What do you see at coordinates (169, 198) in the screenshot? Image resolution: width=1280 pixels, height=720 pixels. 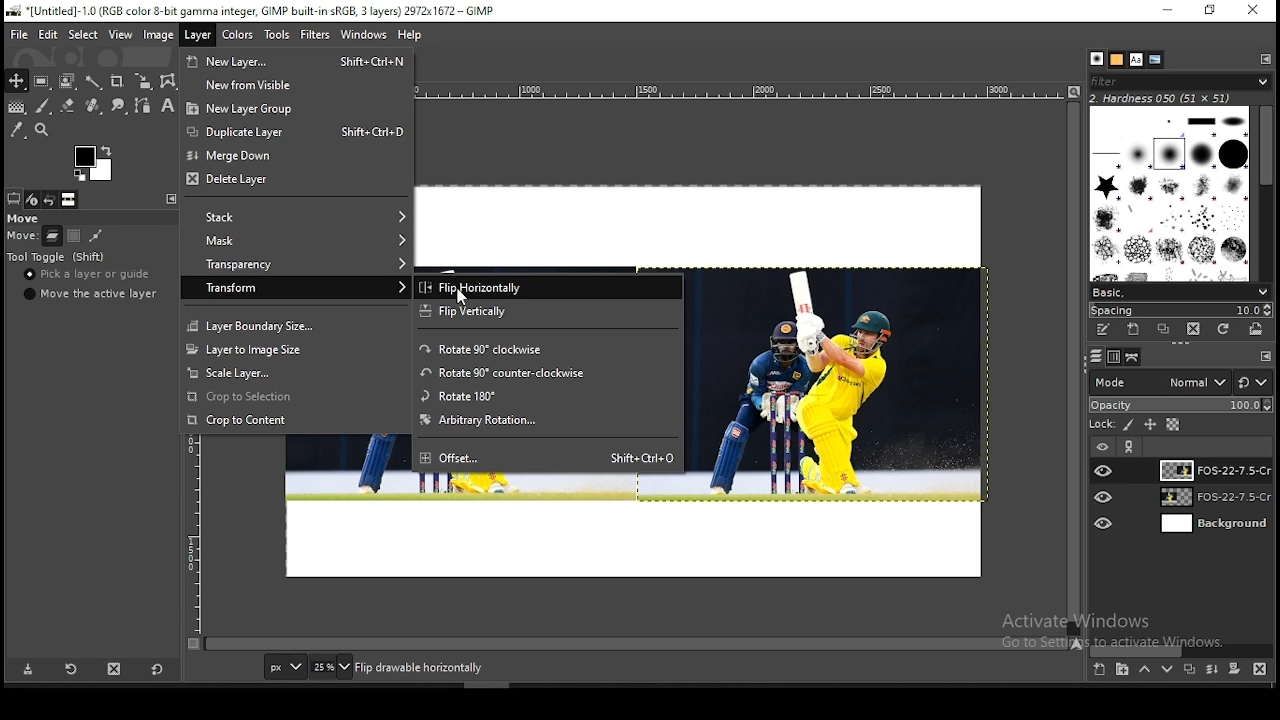 I see `tool` at bounding box center [169, 198].